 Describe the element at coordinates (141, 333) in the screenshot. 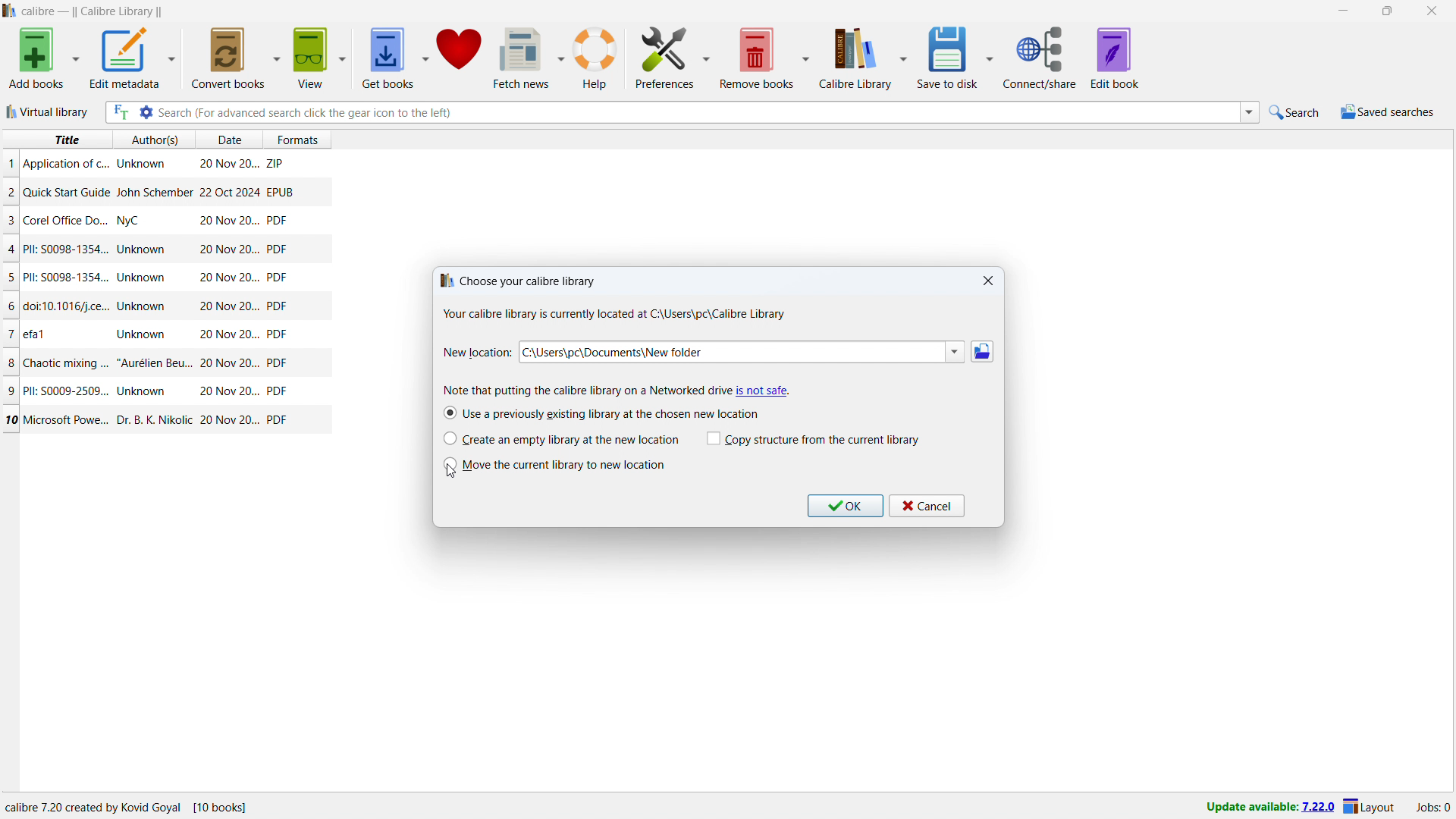

I see `Author` at that location.